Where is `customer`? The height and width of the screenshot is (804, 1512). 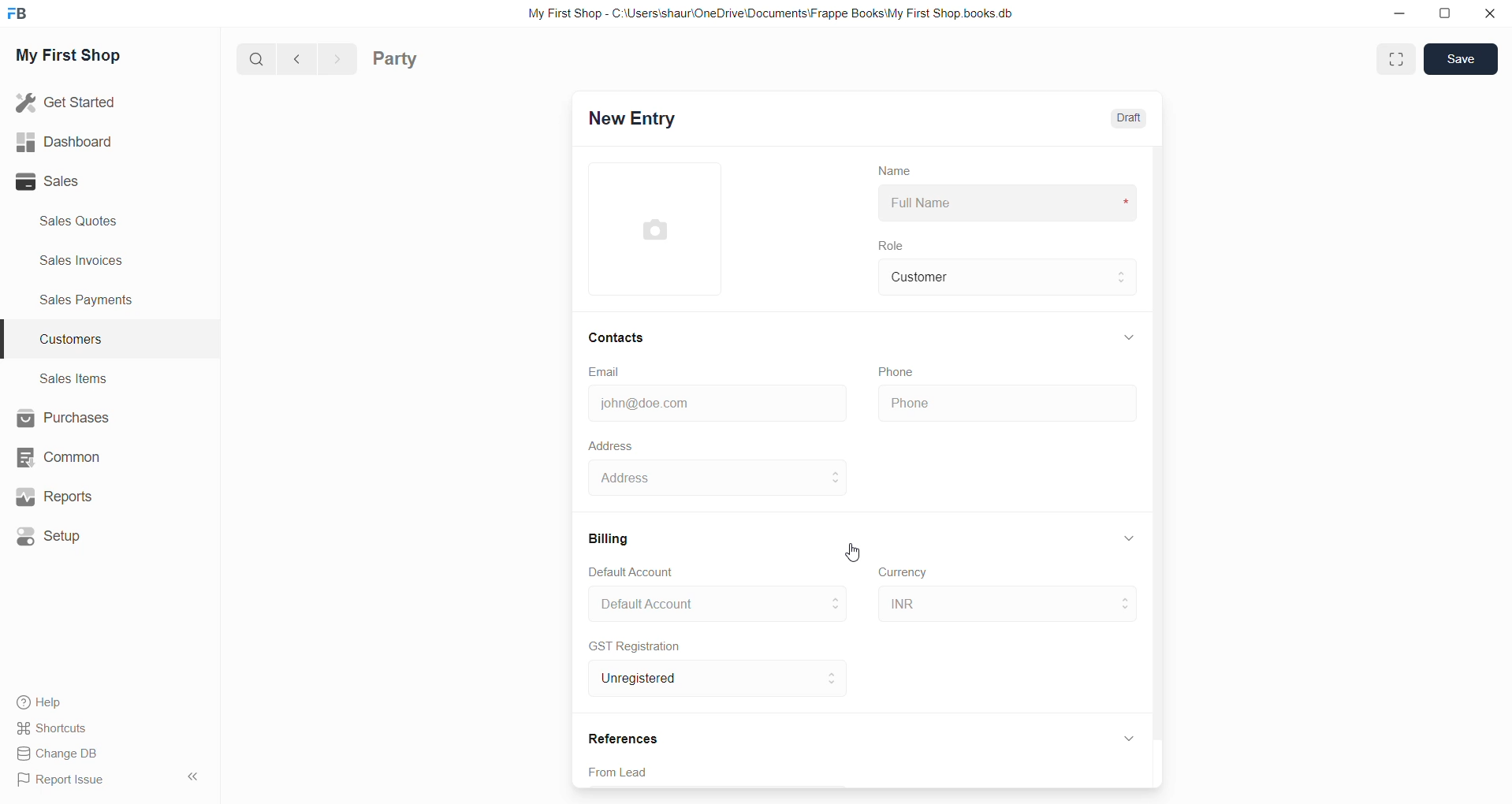
customer is located at coordinates (989, 277).